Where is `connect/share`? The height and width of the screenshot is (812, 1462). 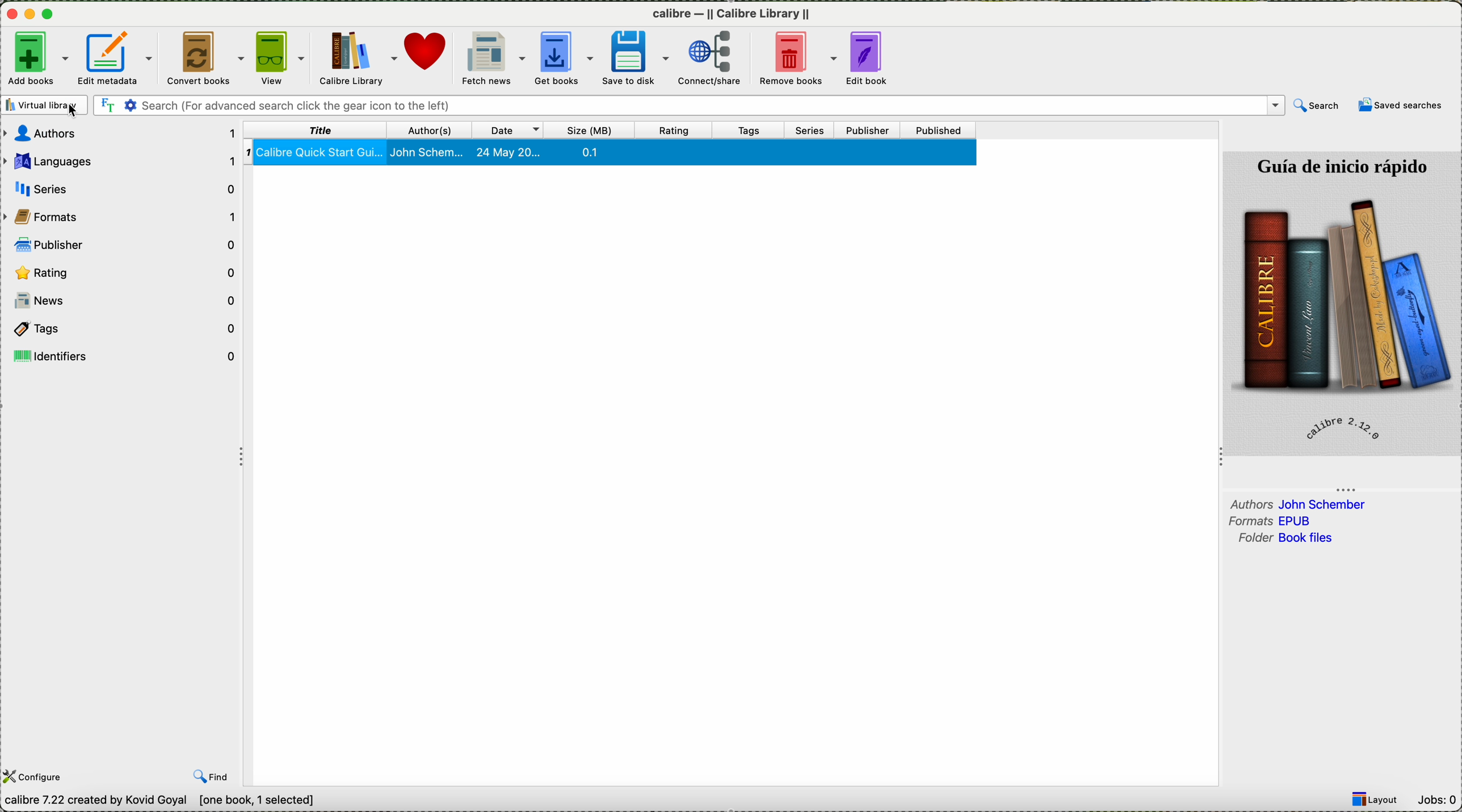 connect/share is located at coordinates (718, 60).